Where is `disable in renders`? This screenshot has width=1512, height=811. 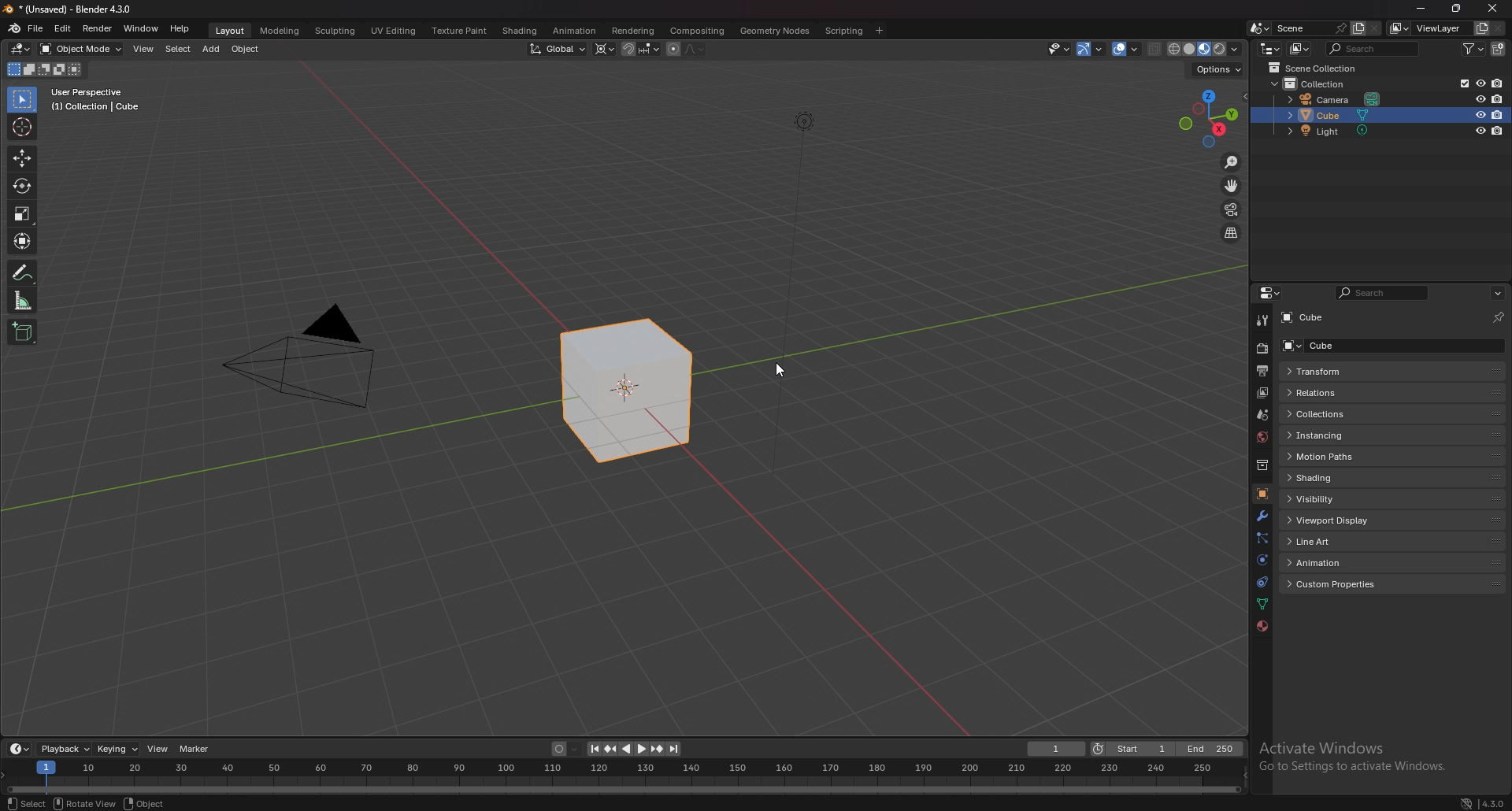
disable in renders is located at coordinates (1499, 99).